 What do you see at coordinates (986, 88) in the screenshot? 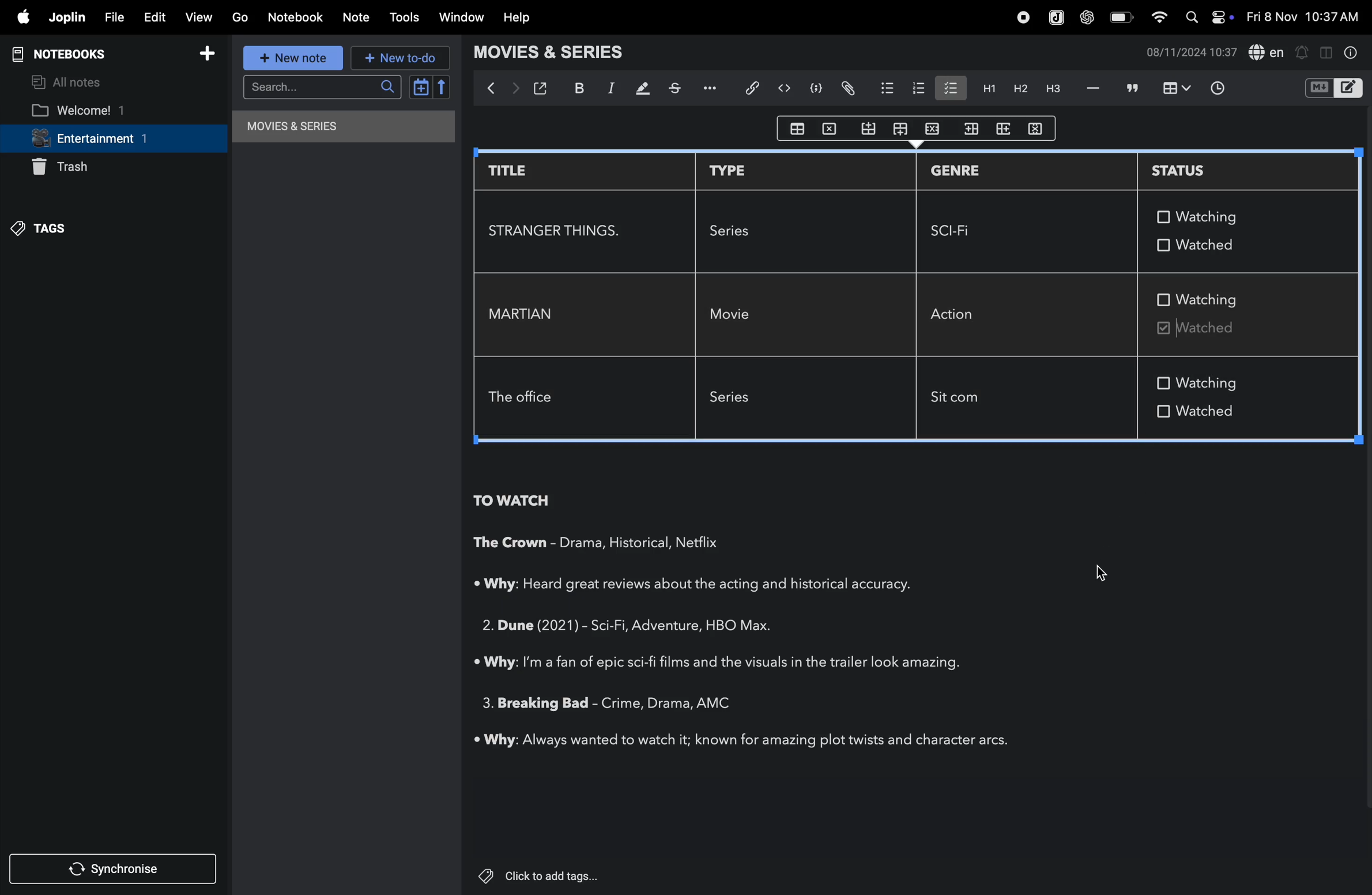
I see `heading 1` at bounding box center [986, 88].